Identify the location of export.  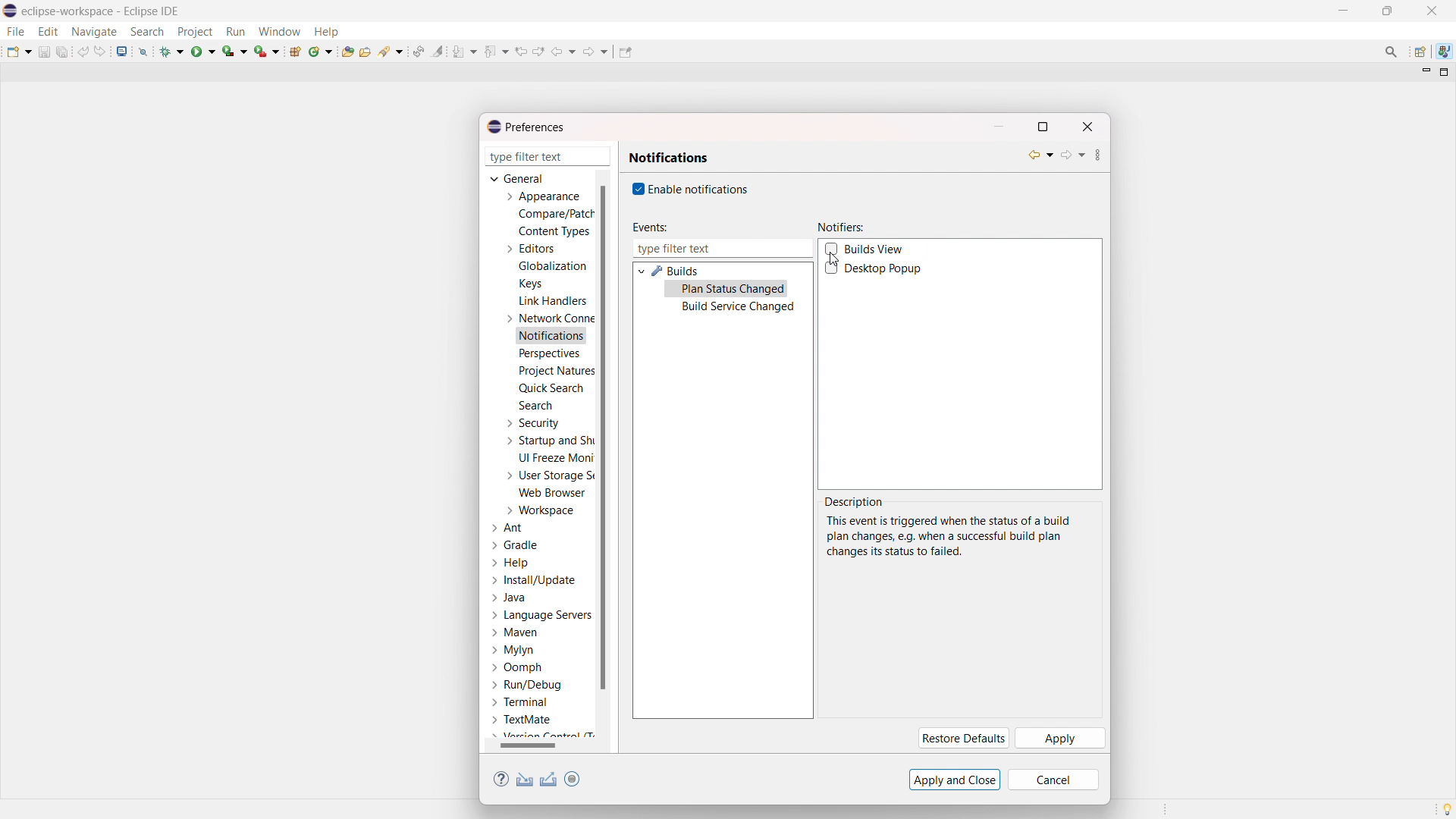
(549, 780).